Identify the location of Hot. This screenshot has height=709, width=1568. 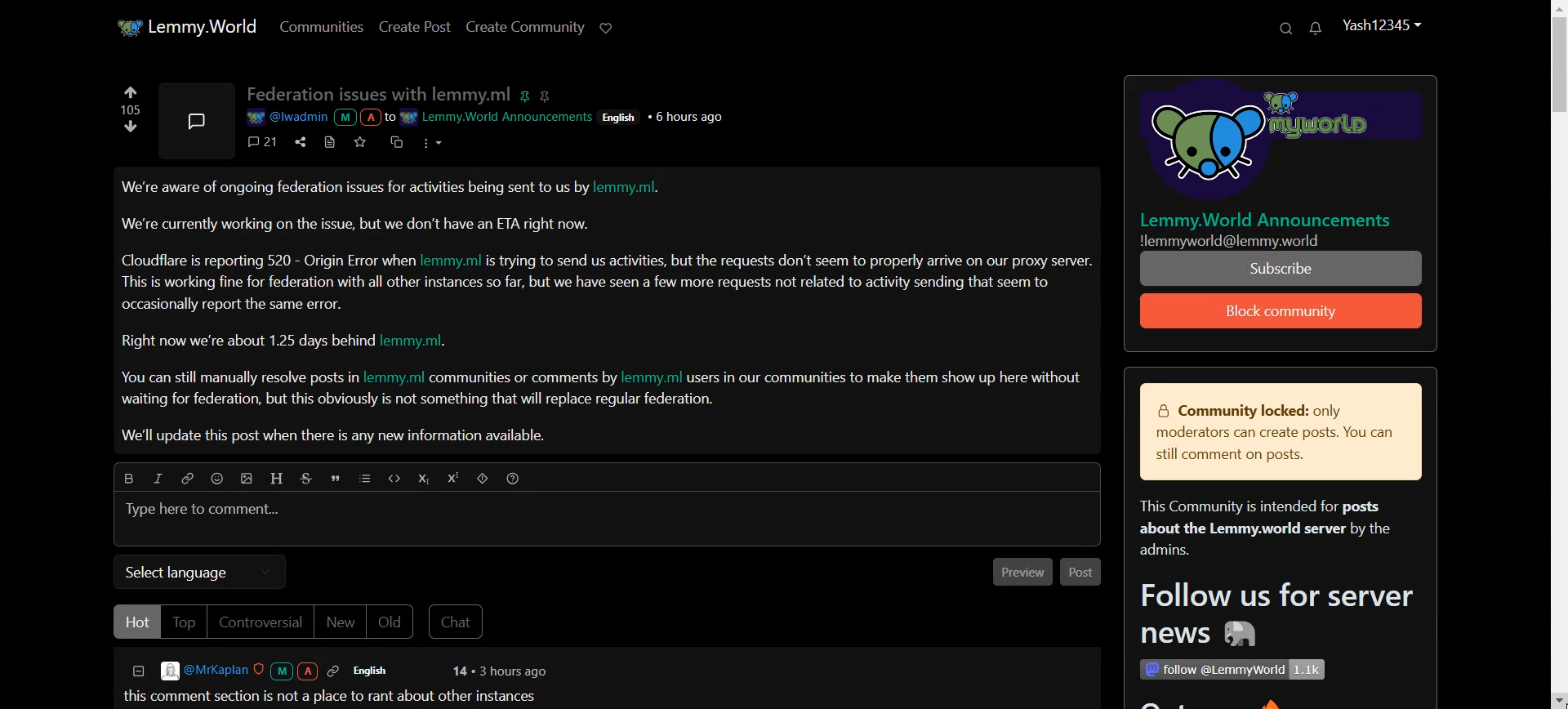
(135, 621).